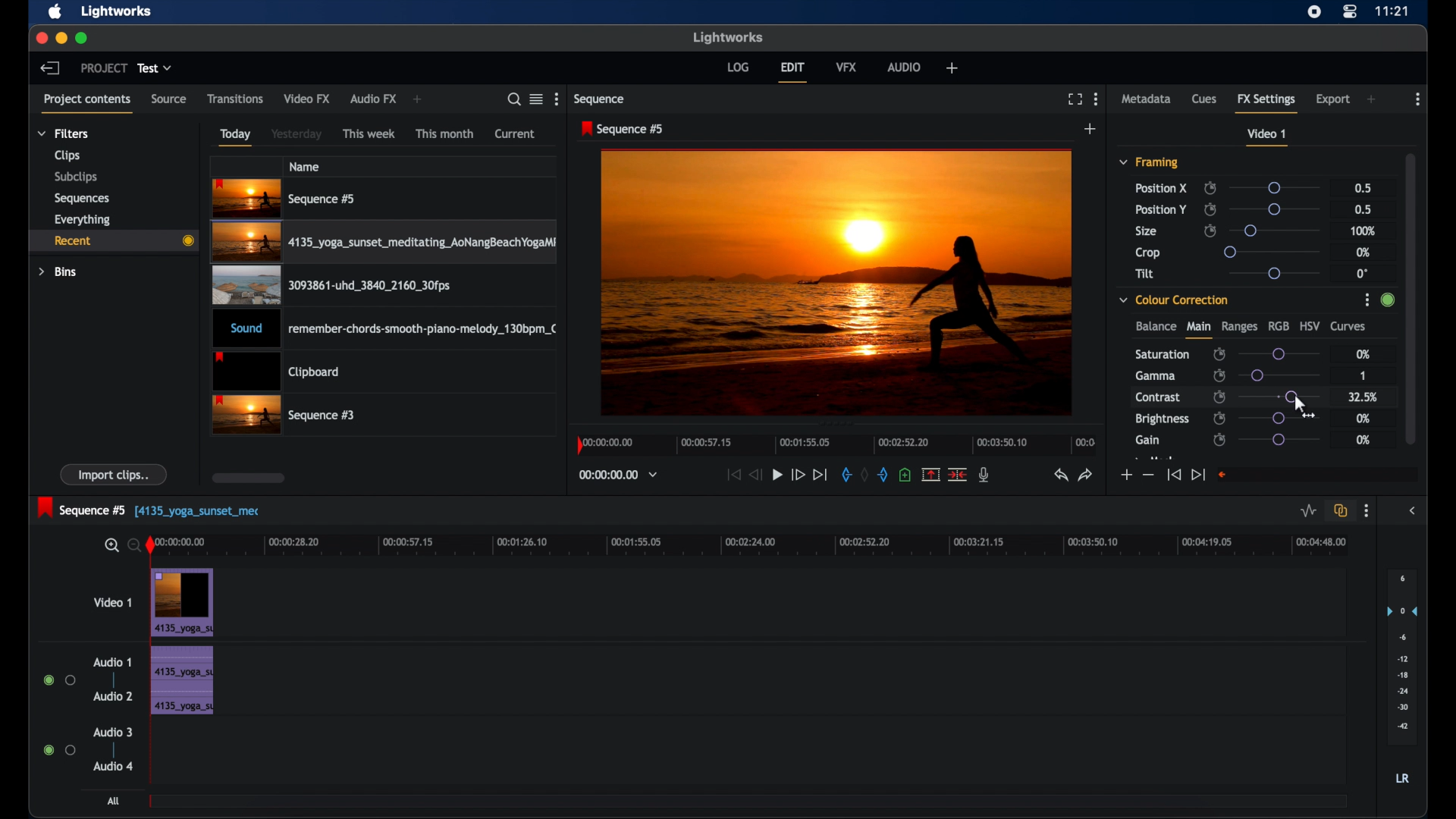 The width and height of the screenshot is (1456, 819). What do you see at coordinates (1276, 209) in the screenshot?
I see `slider` at bounding box center [1276, 209].